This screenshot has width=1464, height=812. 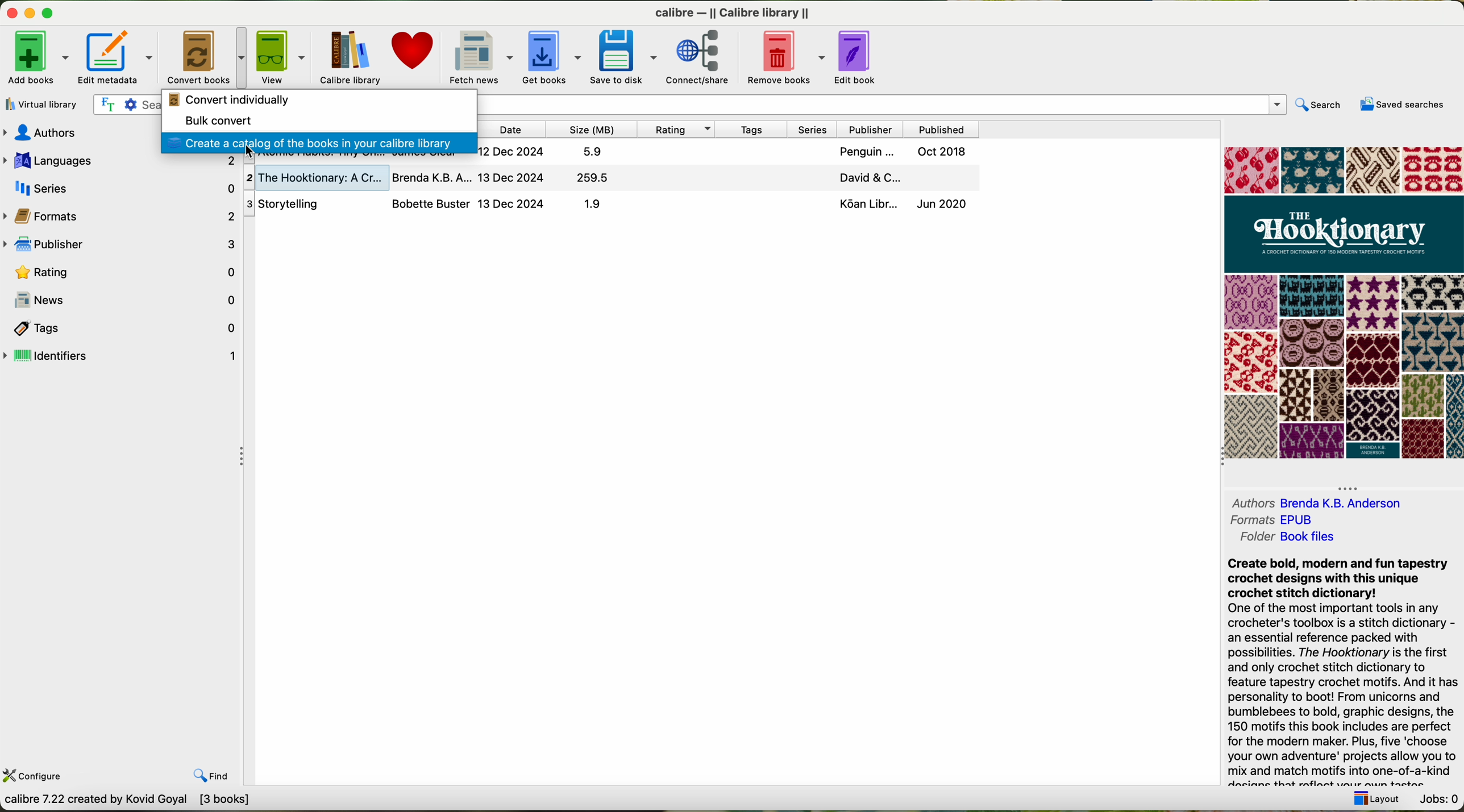 I want to click on folder, so click(x=1249, y=539).